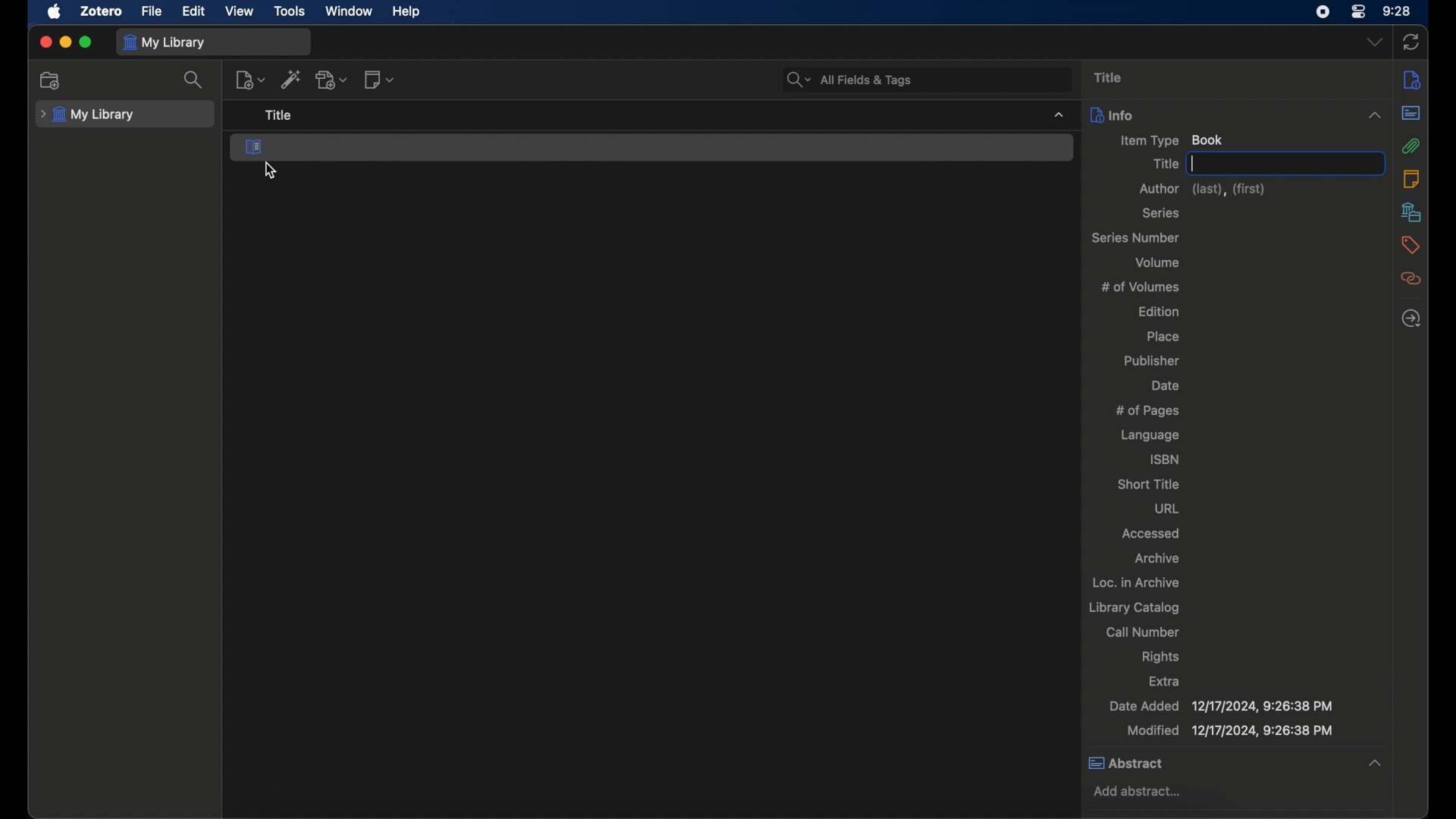 The width and height of the screenshot is (1456, 819). I want to click on screen recorder icon, so click(1323, 12).